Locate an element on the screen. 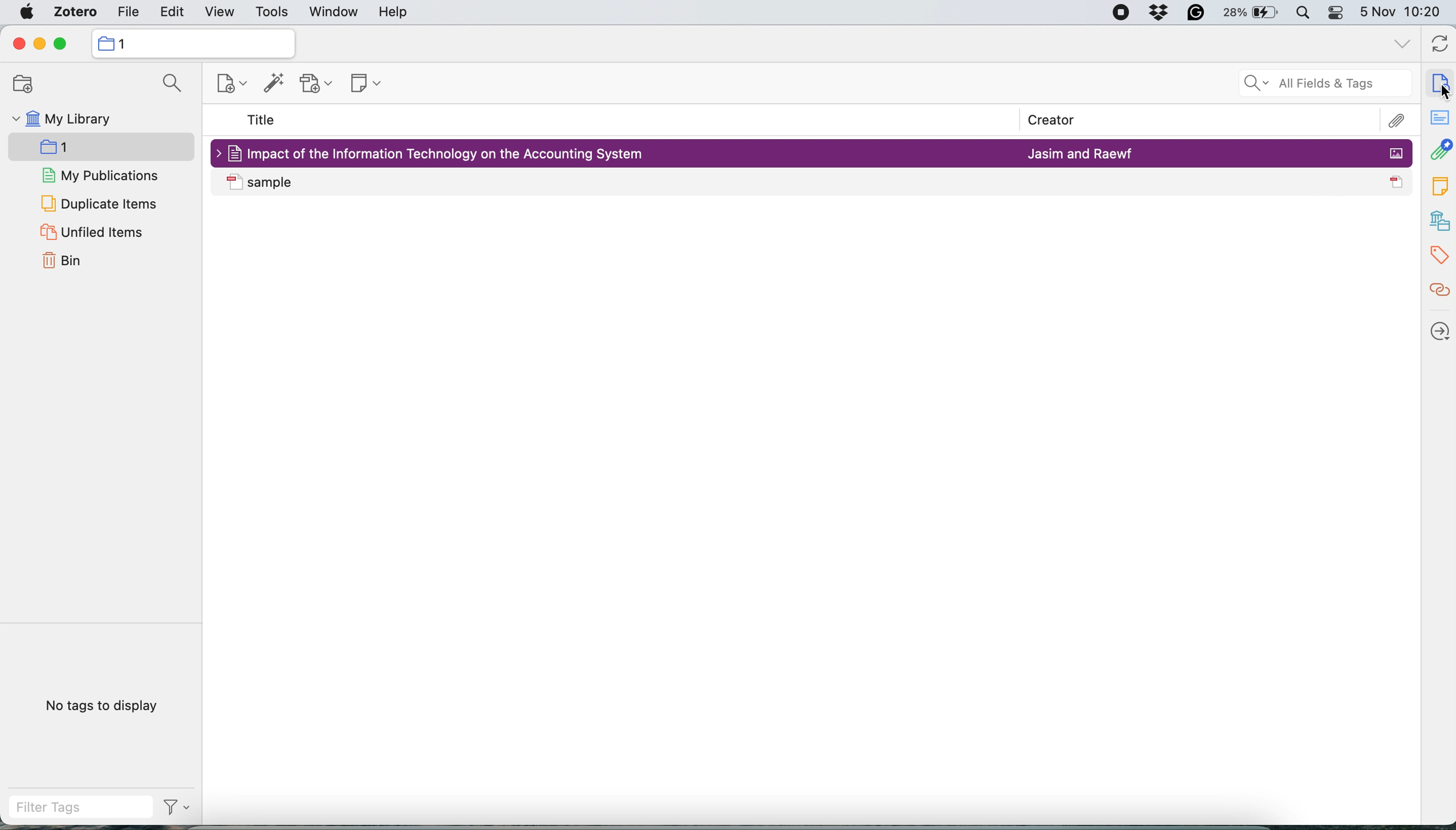 The height and width of the screenshot is (830, 1456). dropbox is located at coordinates (1160, 13).